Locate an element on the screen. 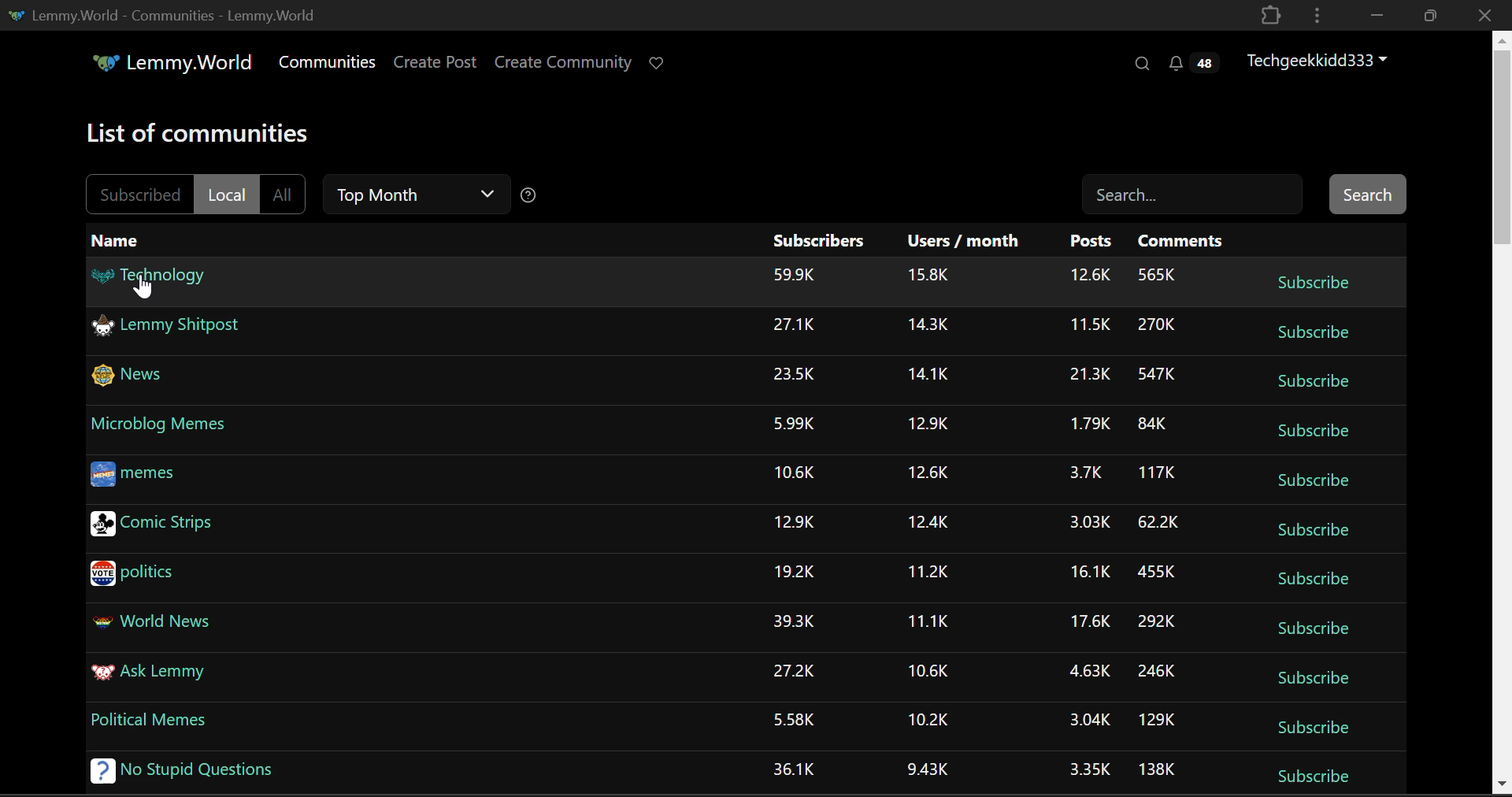 The height and width of the screenshot is (797, 1512). Sorting Help is located at coordinates (530, 191).